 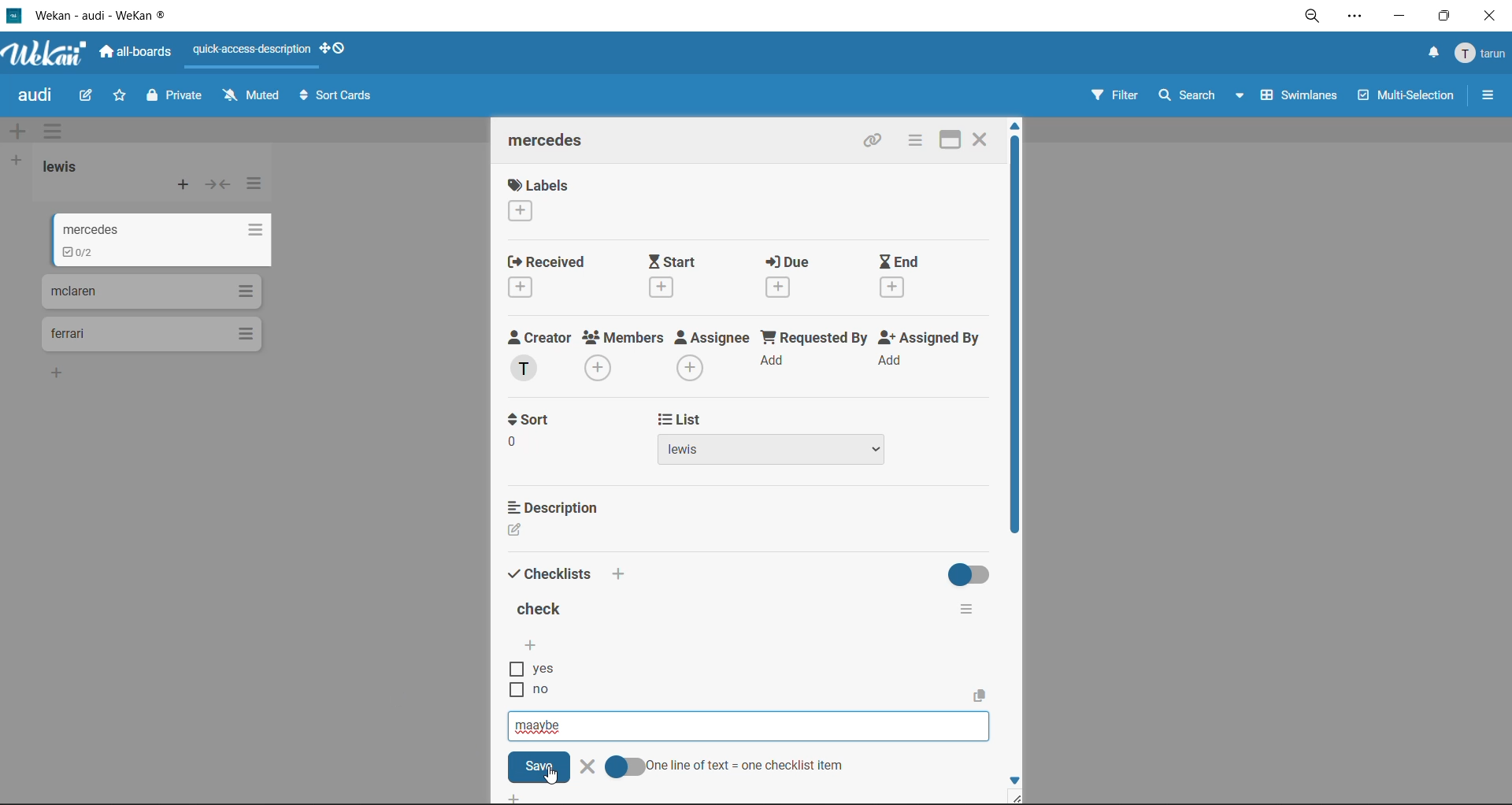 What do you see at coordinates (1444, 17) in the screenshot?
I see `maximize` at bounding box center [1444, 17].